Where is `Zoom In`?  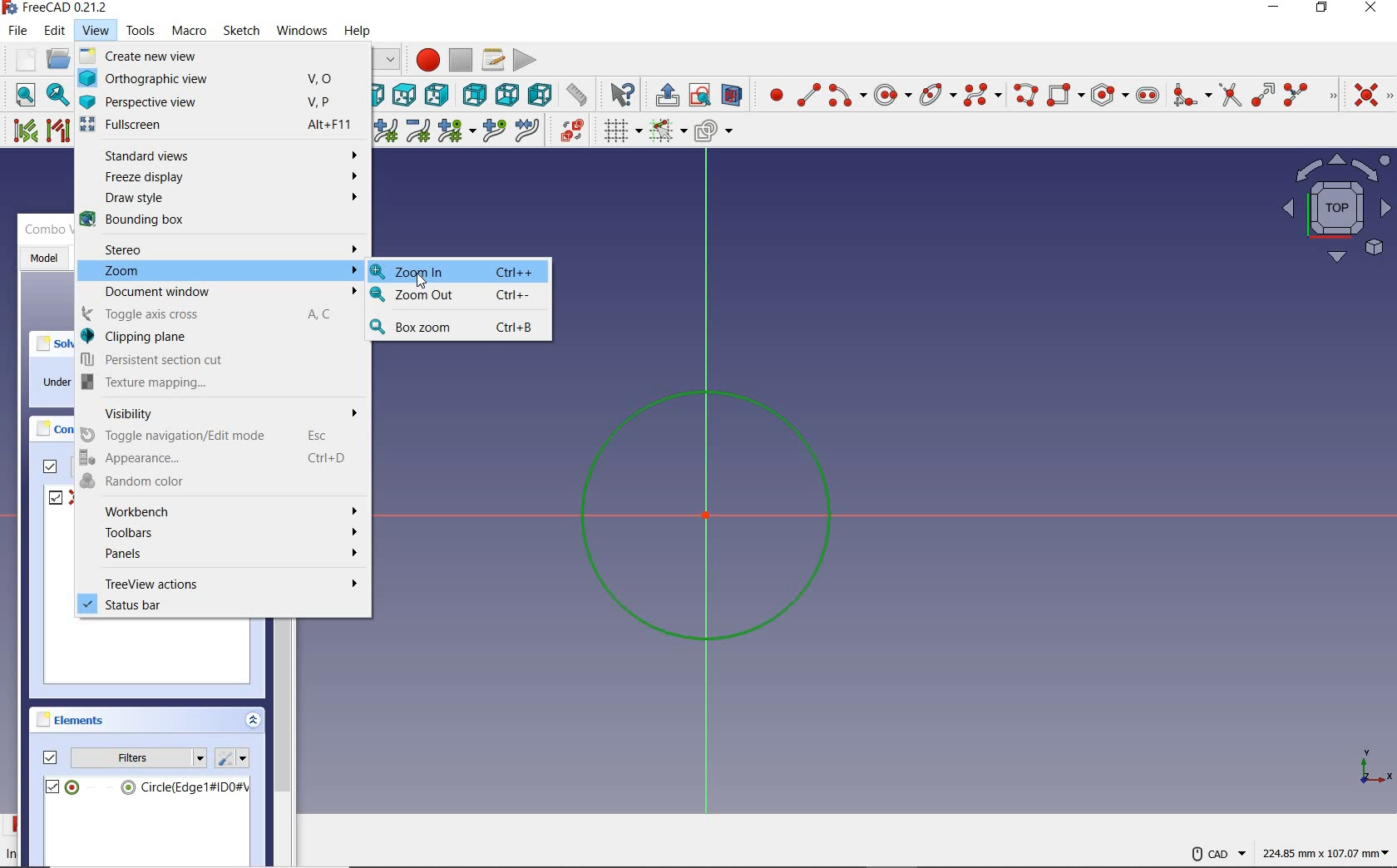
Zoom In is located at coordinates (455, 269).